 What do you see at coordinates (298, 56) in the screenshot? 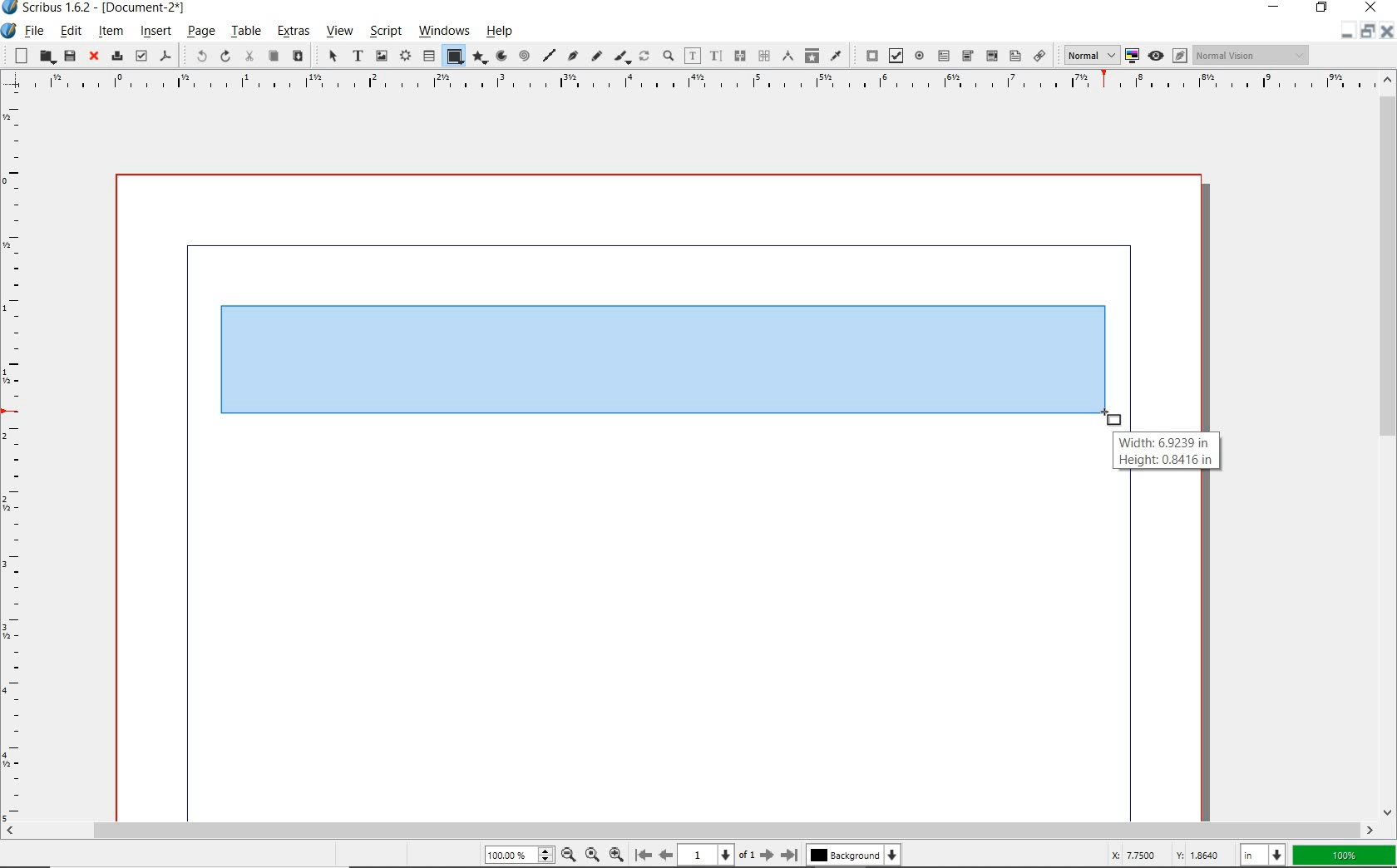
I see `paste` at bounding box center [298, 56].